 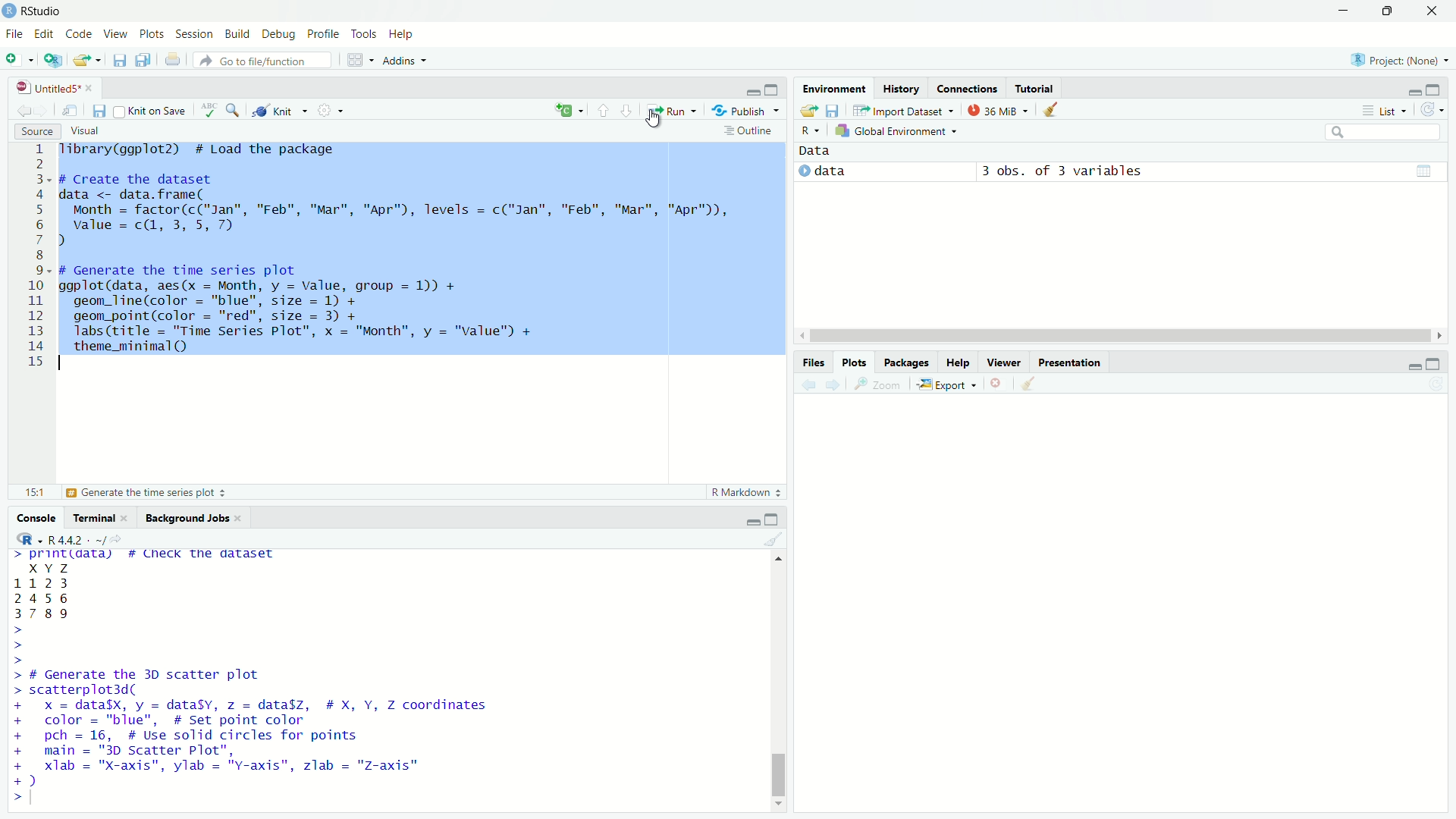 I want to click on settings, so click(x=334, y=114).